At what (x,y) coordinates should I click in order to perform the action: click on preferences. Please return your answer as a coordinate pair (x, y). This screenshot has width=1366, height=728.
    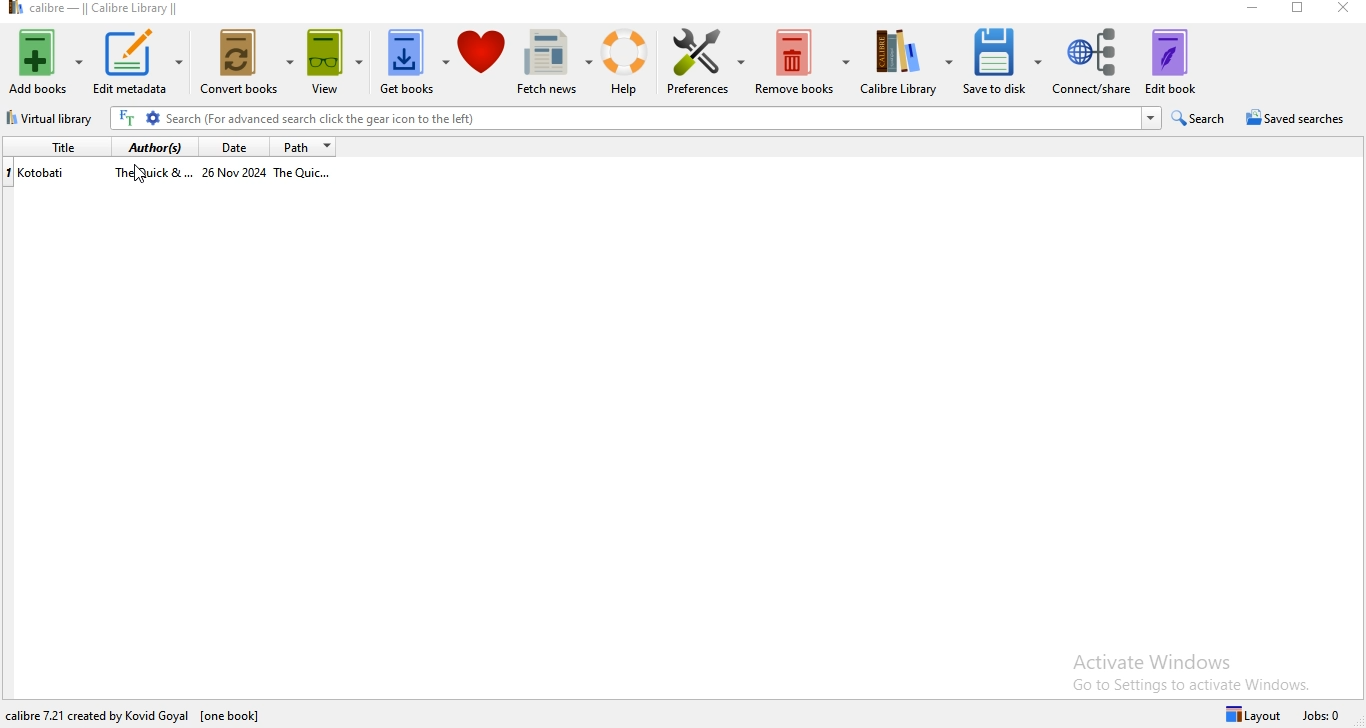
    Looking at the image, I should click on (703, 66).